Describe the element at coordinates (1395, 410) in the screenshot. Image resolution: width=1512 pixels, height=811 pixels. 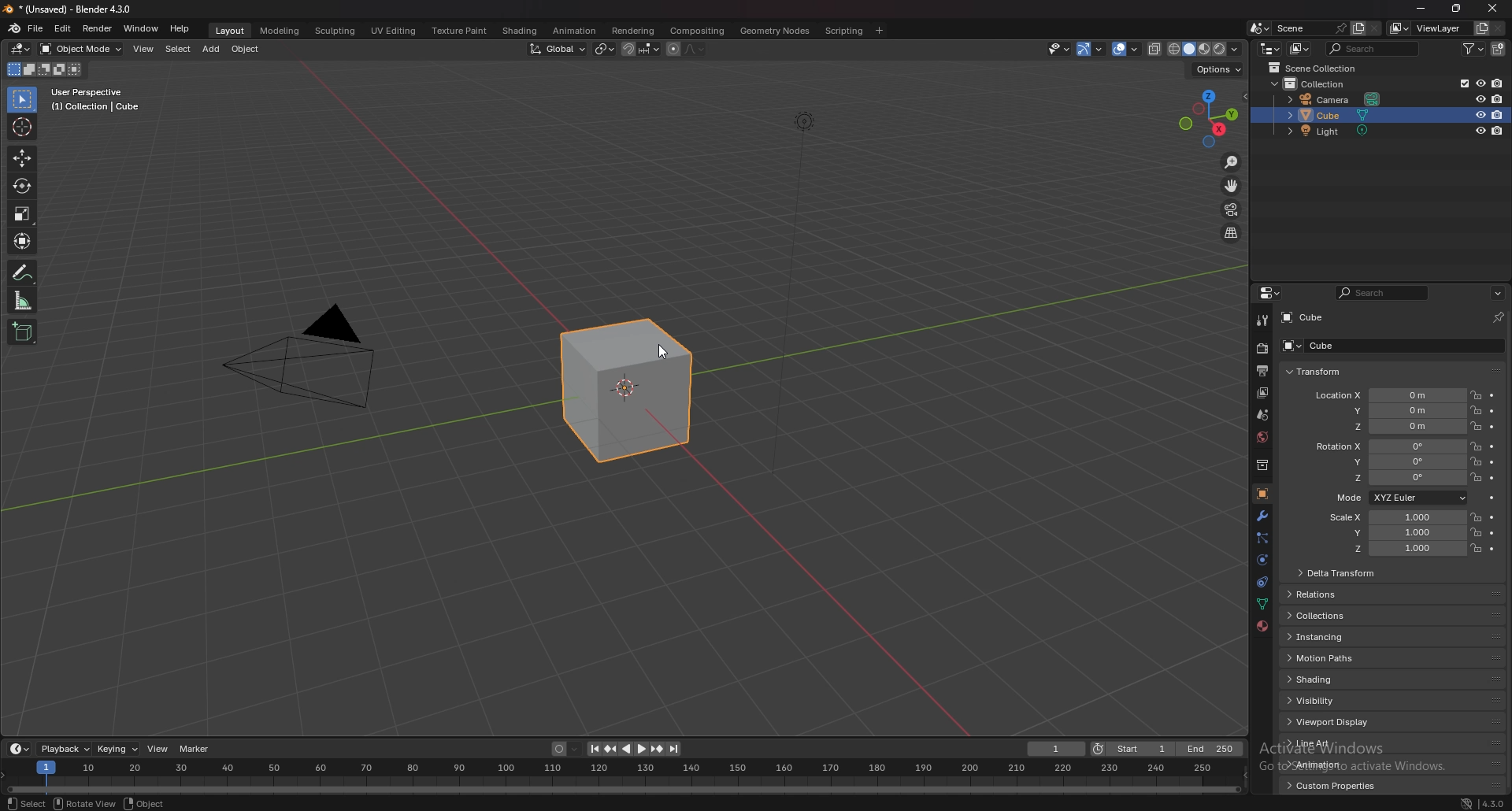
I see `location y` at that location.